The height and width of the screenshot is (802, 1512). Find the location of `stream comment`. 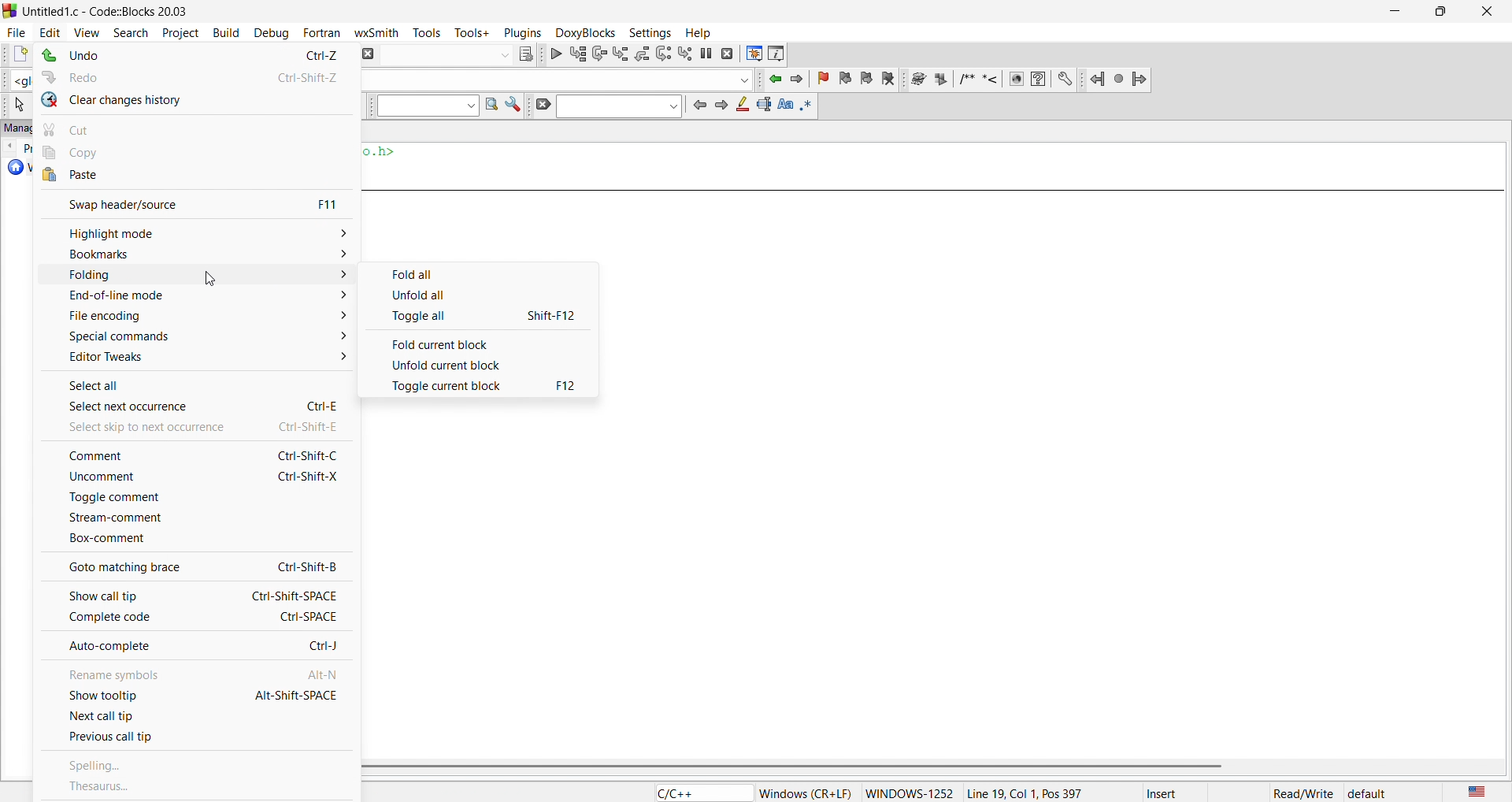

stream comment is located at coordinates (195, 517).